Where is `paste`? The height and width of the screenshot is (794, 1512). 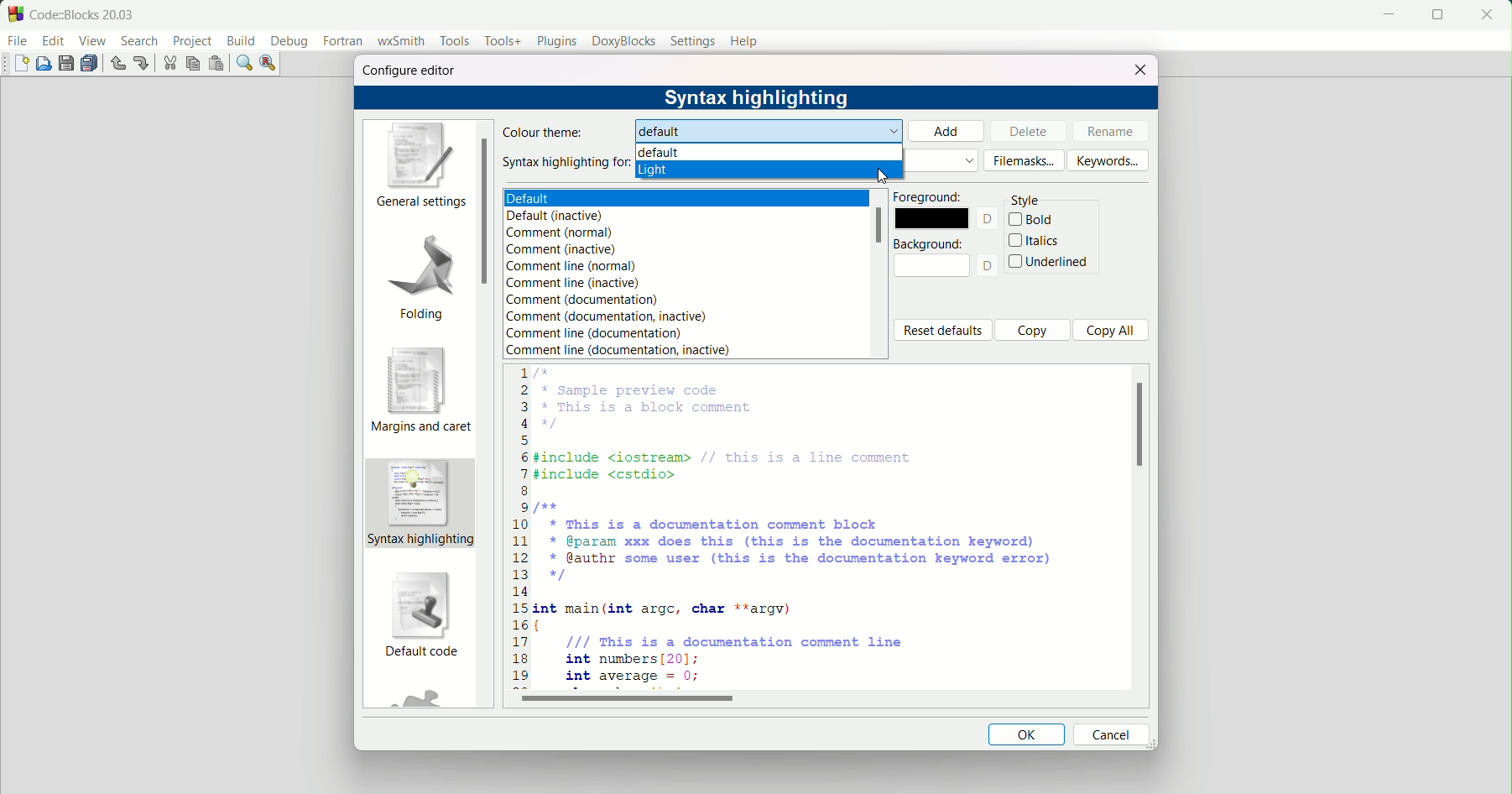
paste is located at coordinates (215, 64).